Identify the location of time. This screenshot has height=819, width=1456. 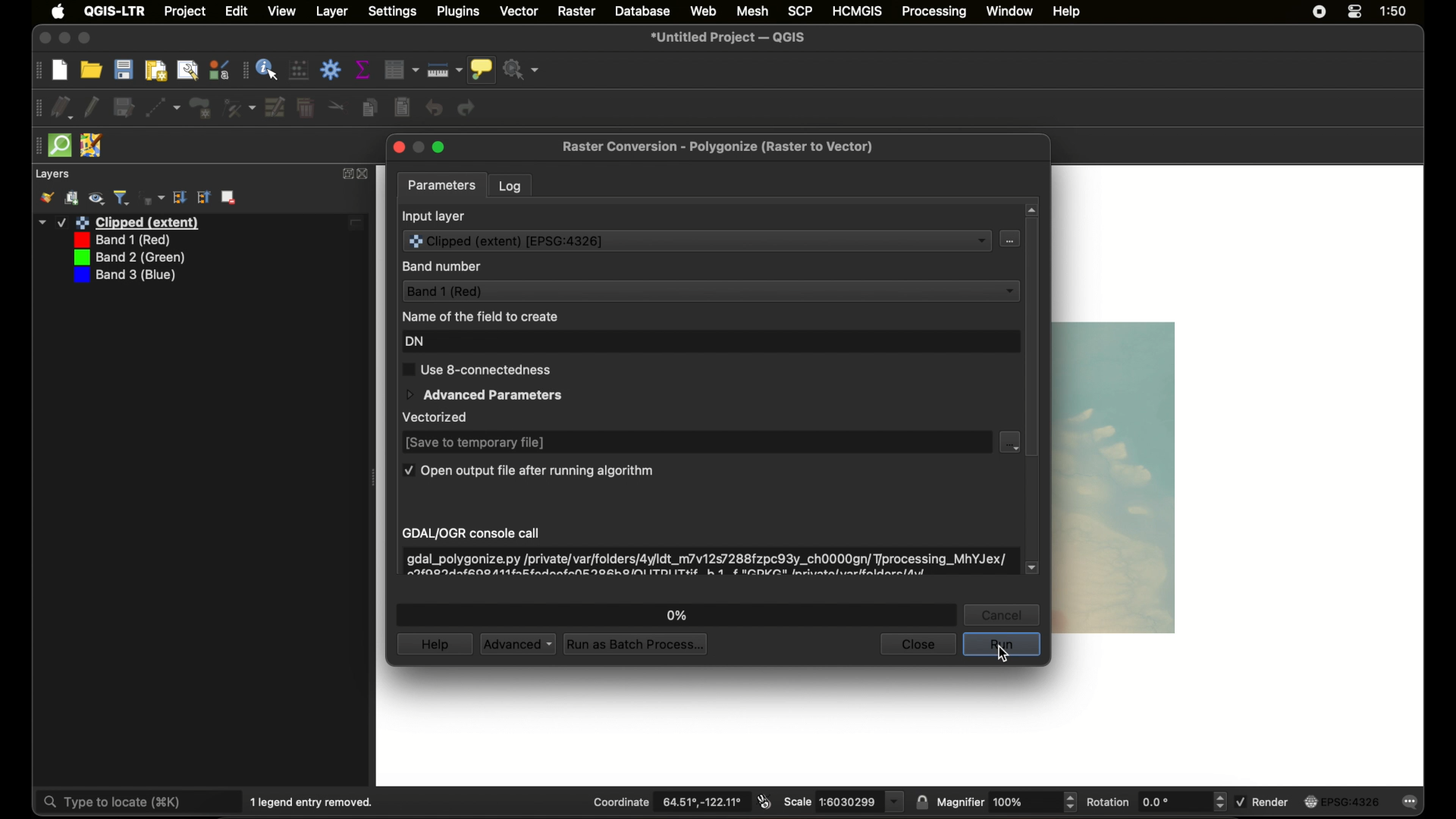
(1393, 11).